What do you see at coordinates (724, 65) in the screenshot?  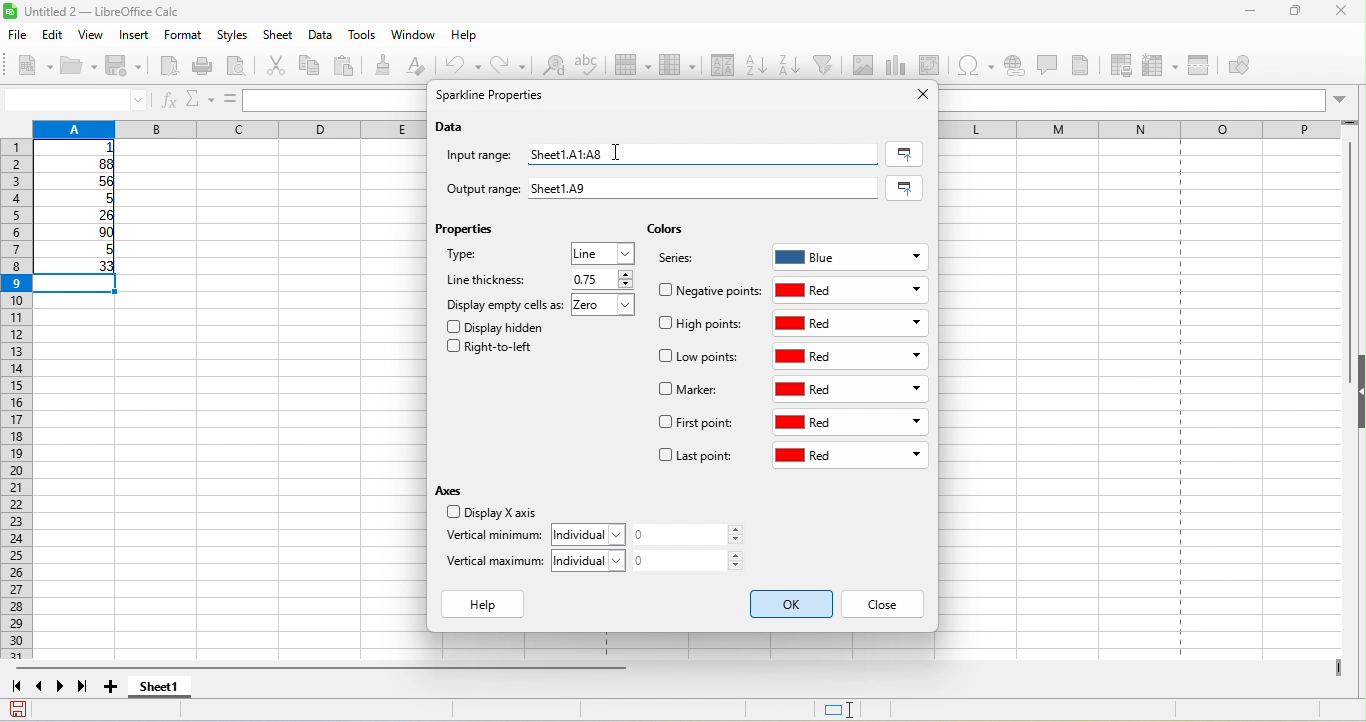 I see `sort` at bounding box center [724, 65].